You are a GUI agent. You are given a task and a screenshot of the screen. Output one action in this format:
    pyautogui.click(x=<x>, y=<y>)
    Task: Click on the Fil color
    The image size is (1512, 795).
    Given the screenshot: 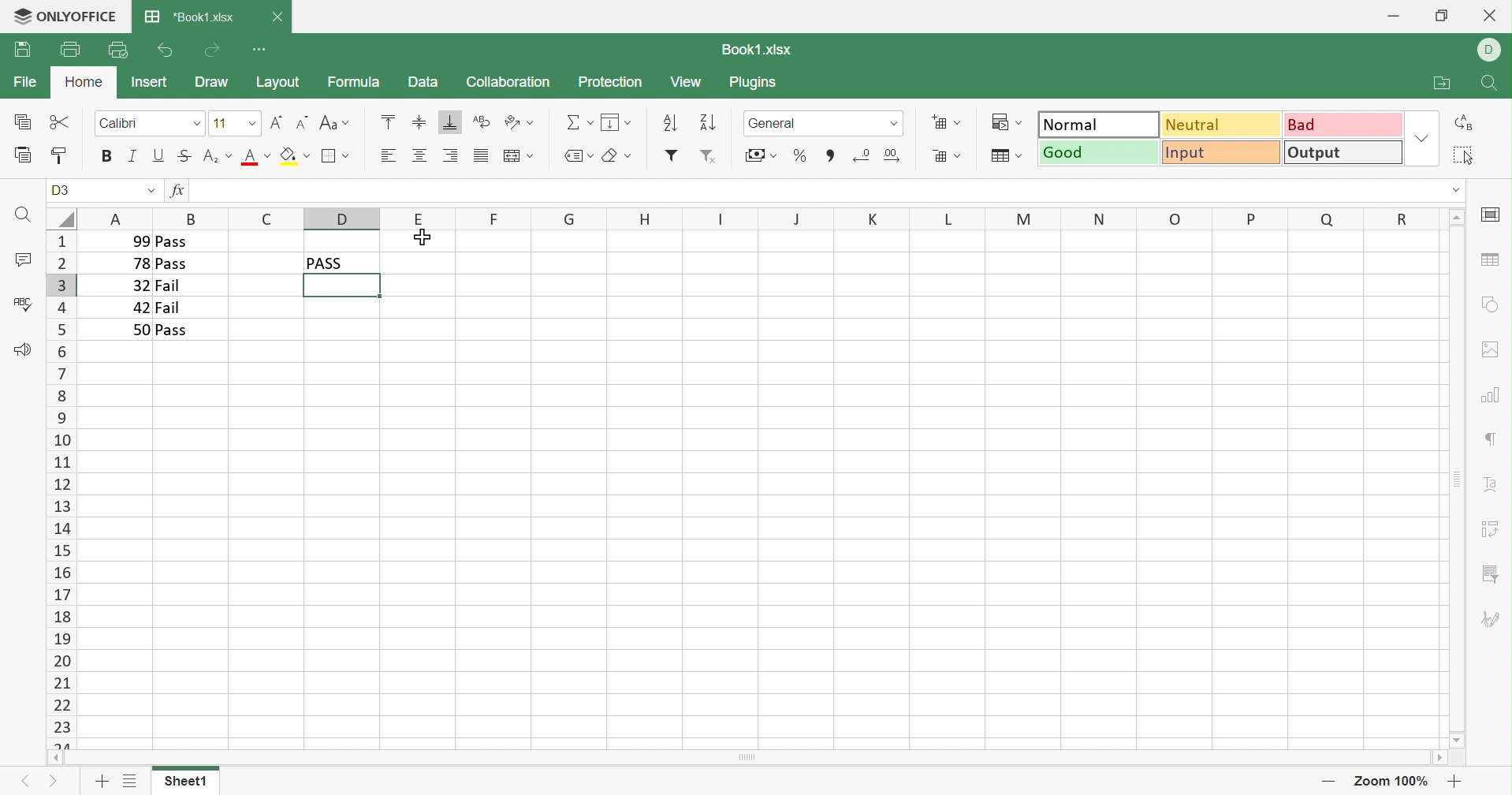 What is the action you would take?
    pyautogui.click(x=295, y=155)
    